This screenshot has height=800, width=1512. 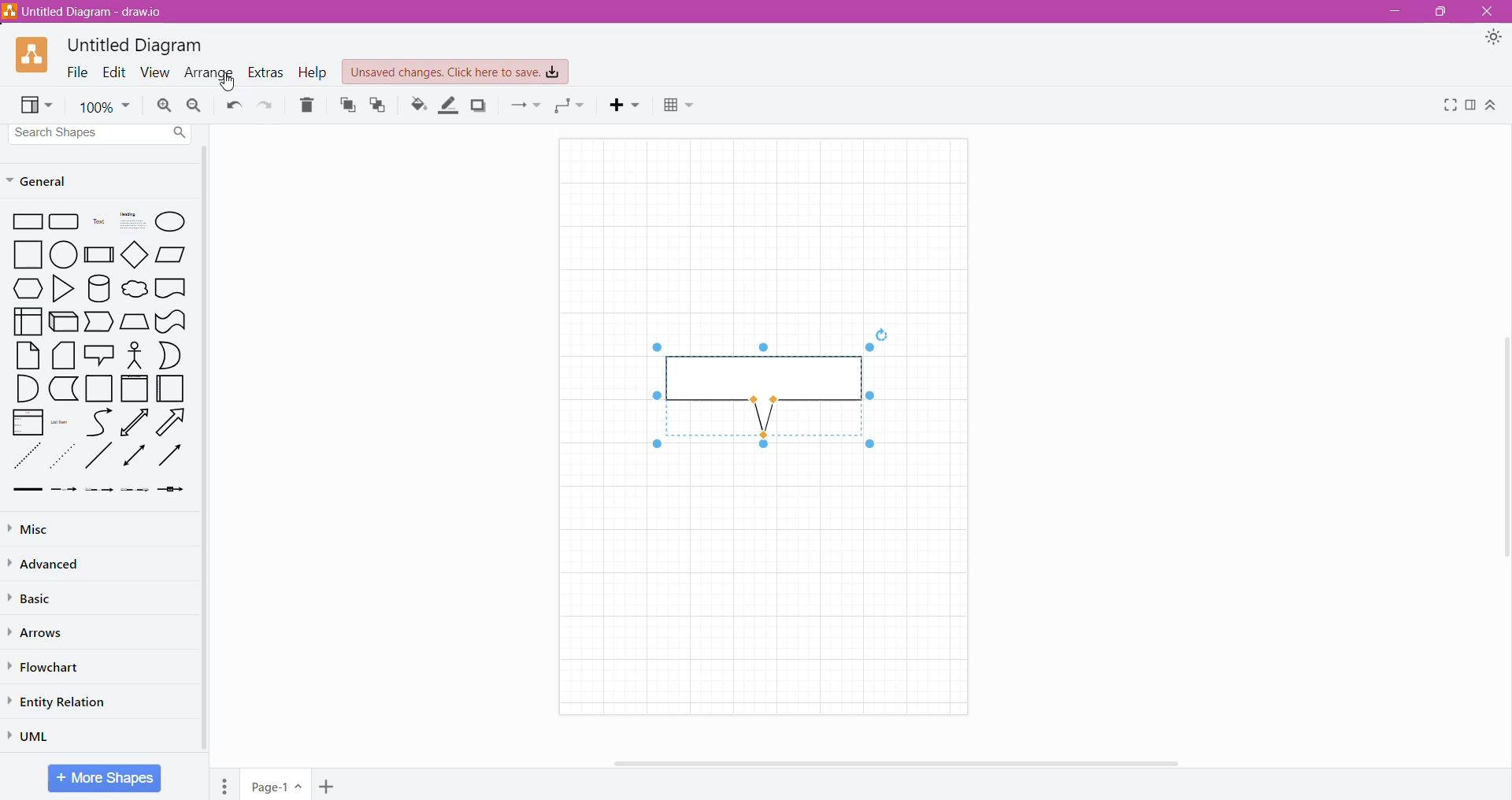 I want to click on subprocess, so click(x=98, y=254).